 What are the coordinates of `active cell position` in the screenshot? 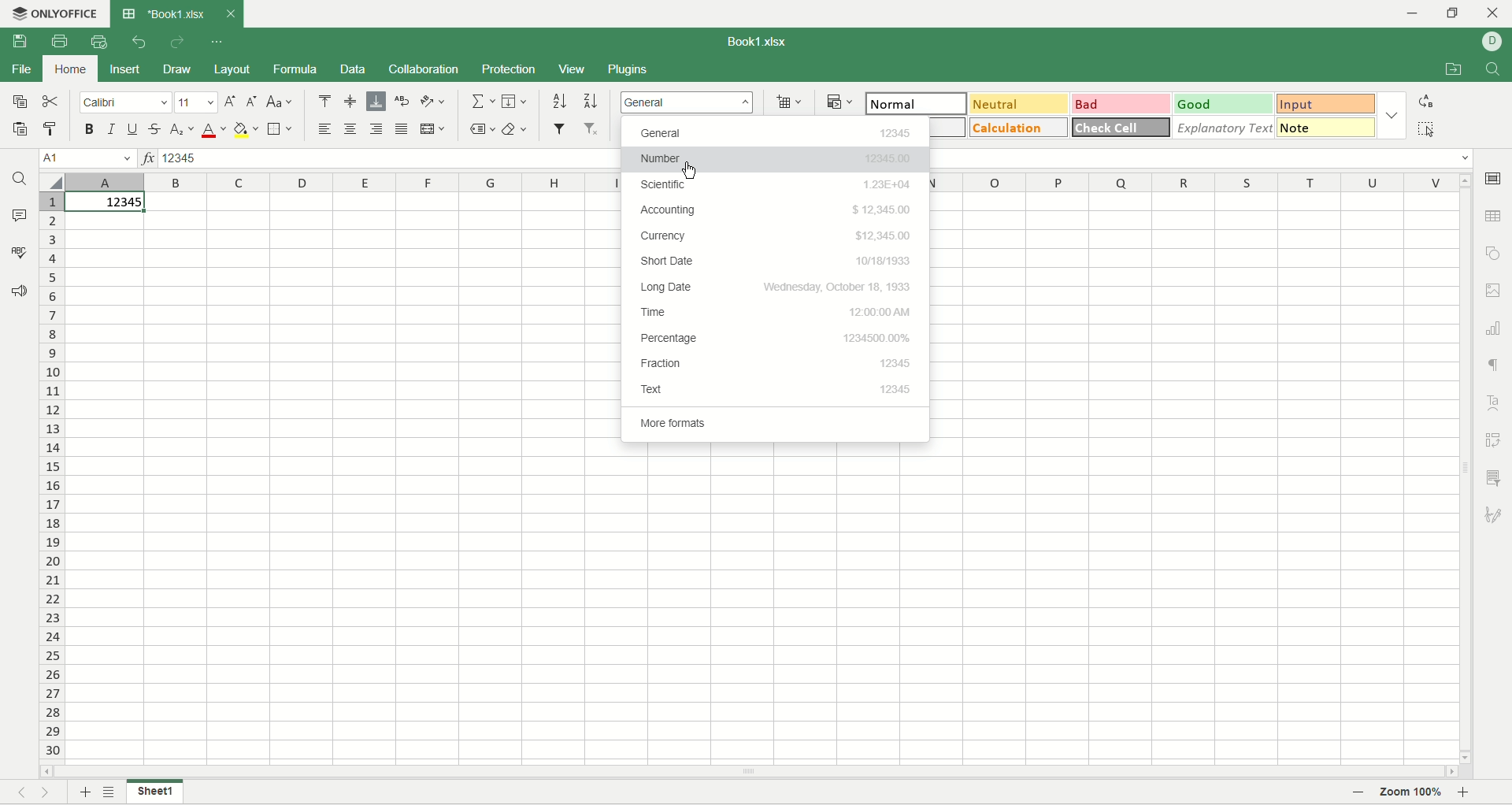 It's located at (88, 159).